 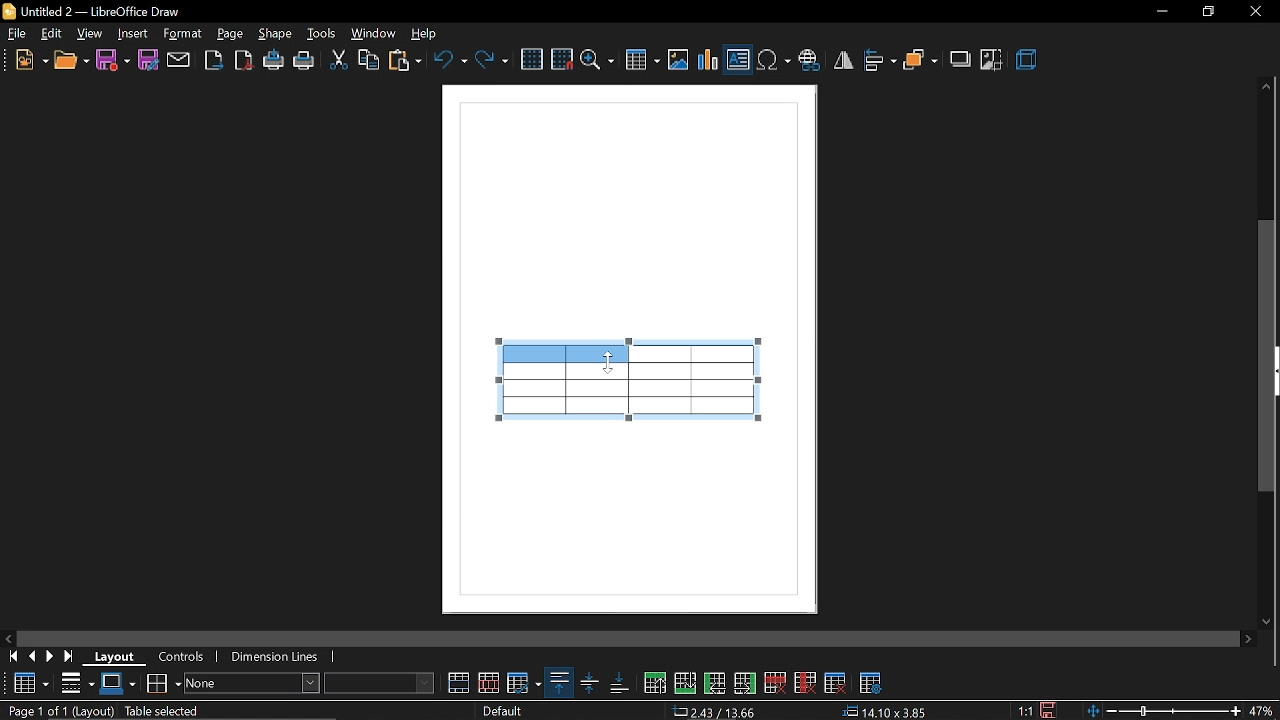 What do you see at coordinates (920, 57) in the screenshot?
I see `arrange` at bounding box center [920, 57].